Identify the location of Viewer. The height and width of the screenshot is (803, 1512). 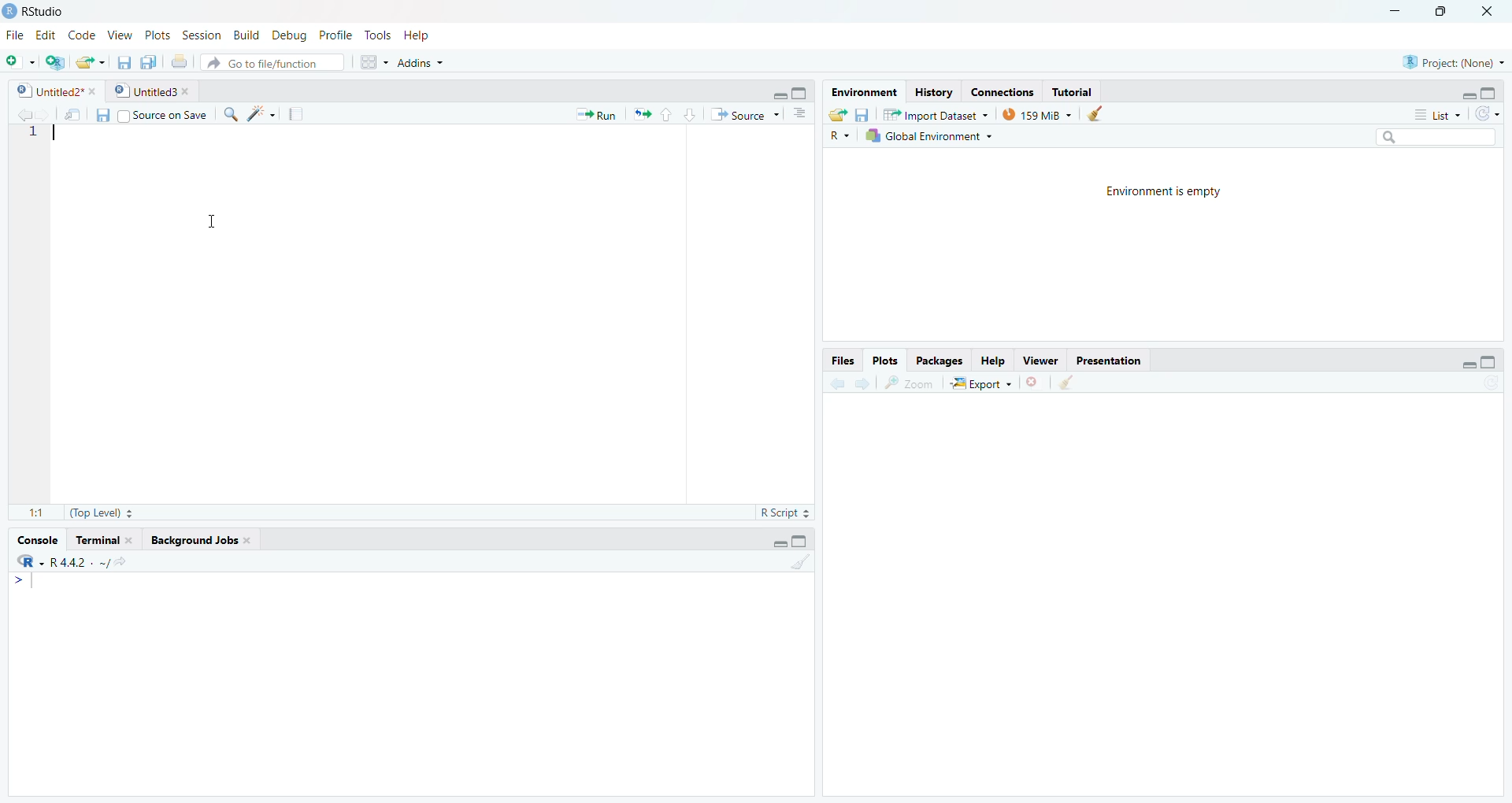
(1042, 361).